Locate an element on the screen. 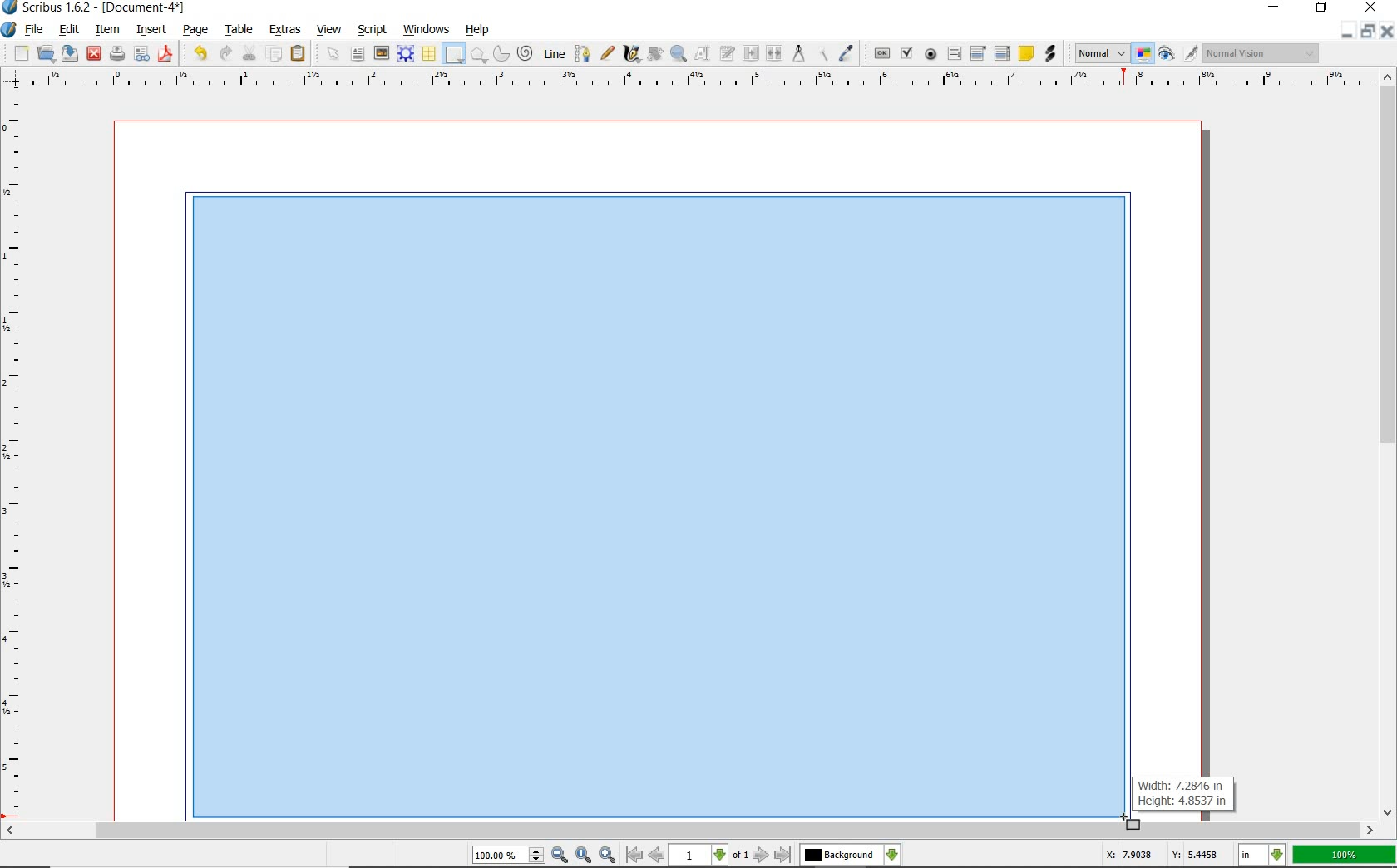  zoom in is located at coordinates (608, 855).